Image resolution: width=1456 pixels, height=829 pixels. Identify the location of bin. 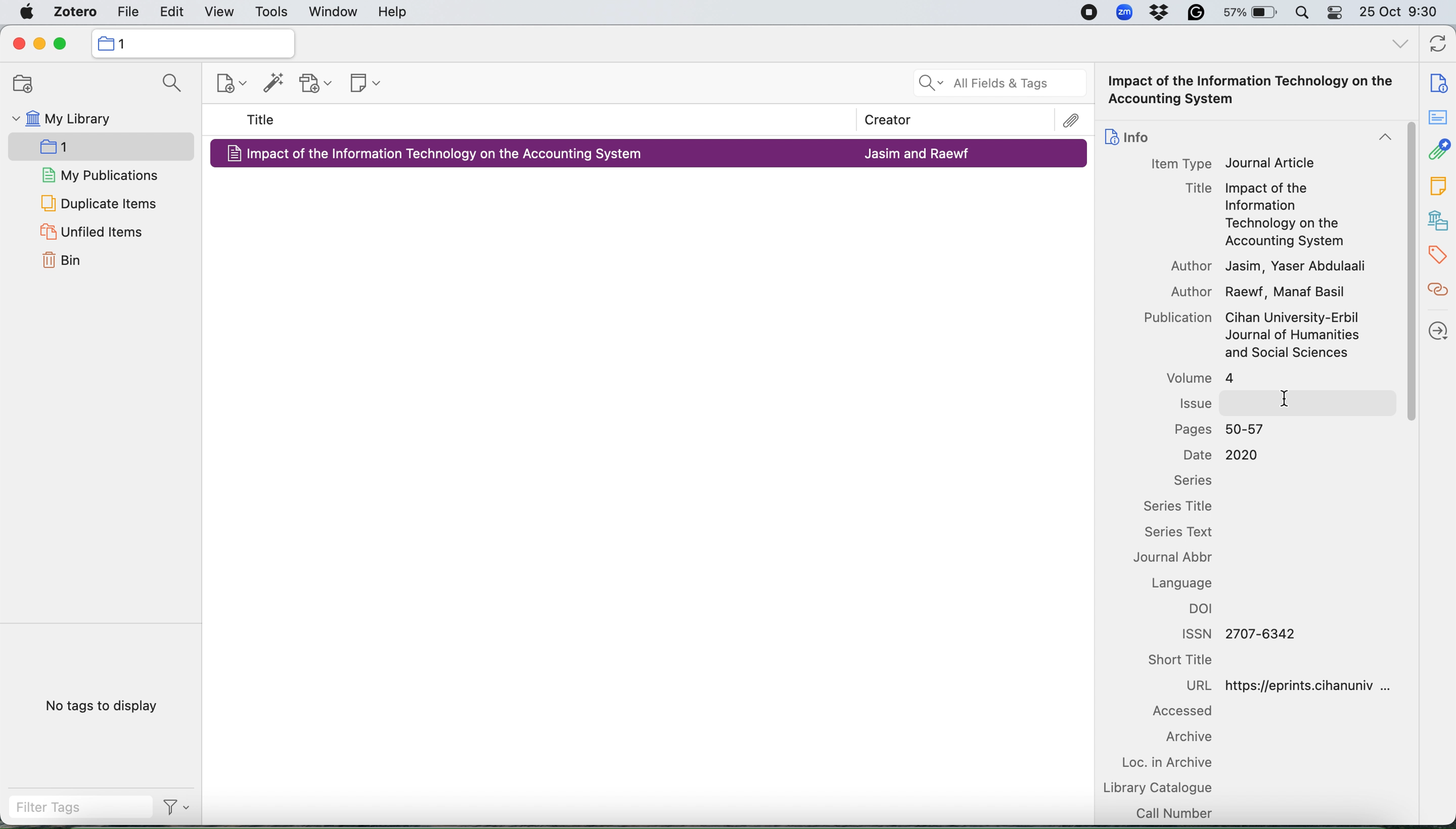
(62, 262).